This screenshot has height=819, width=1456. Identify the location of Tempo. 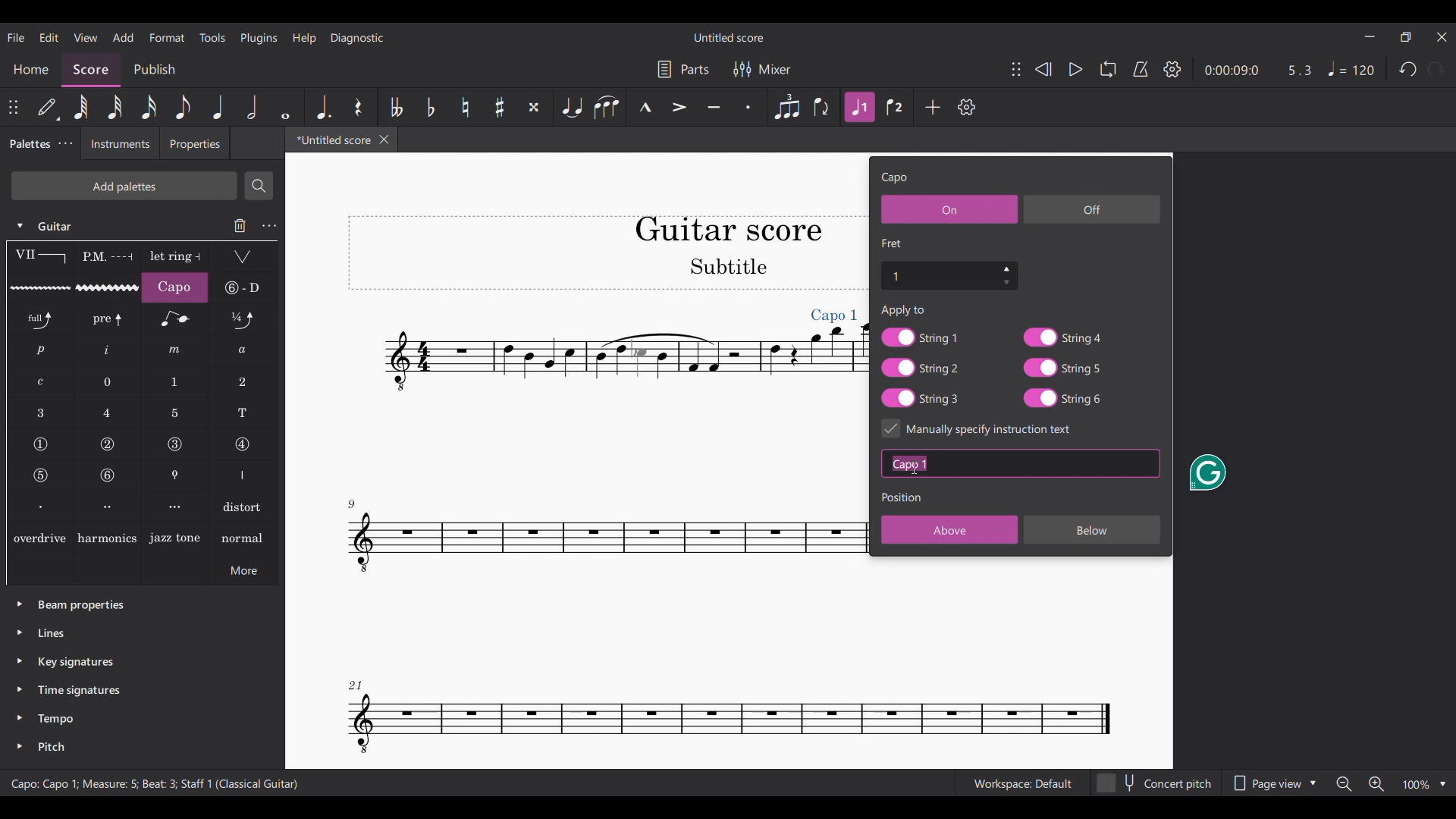
(56, 719).